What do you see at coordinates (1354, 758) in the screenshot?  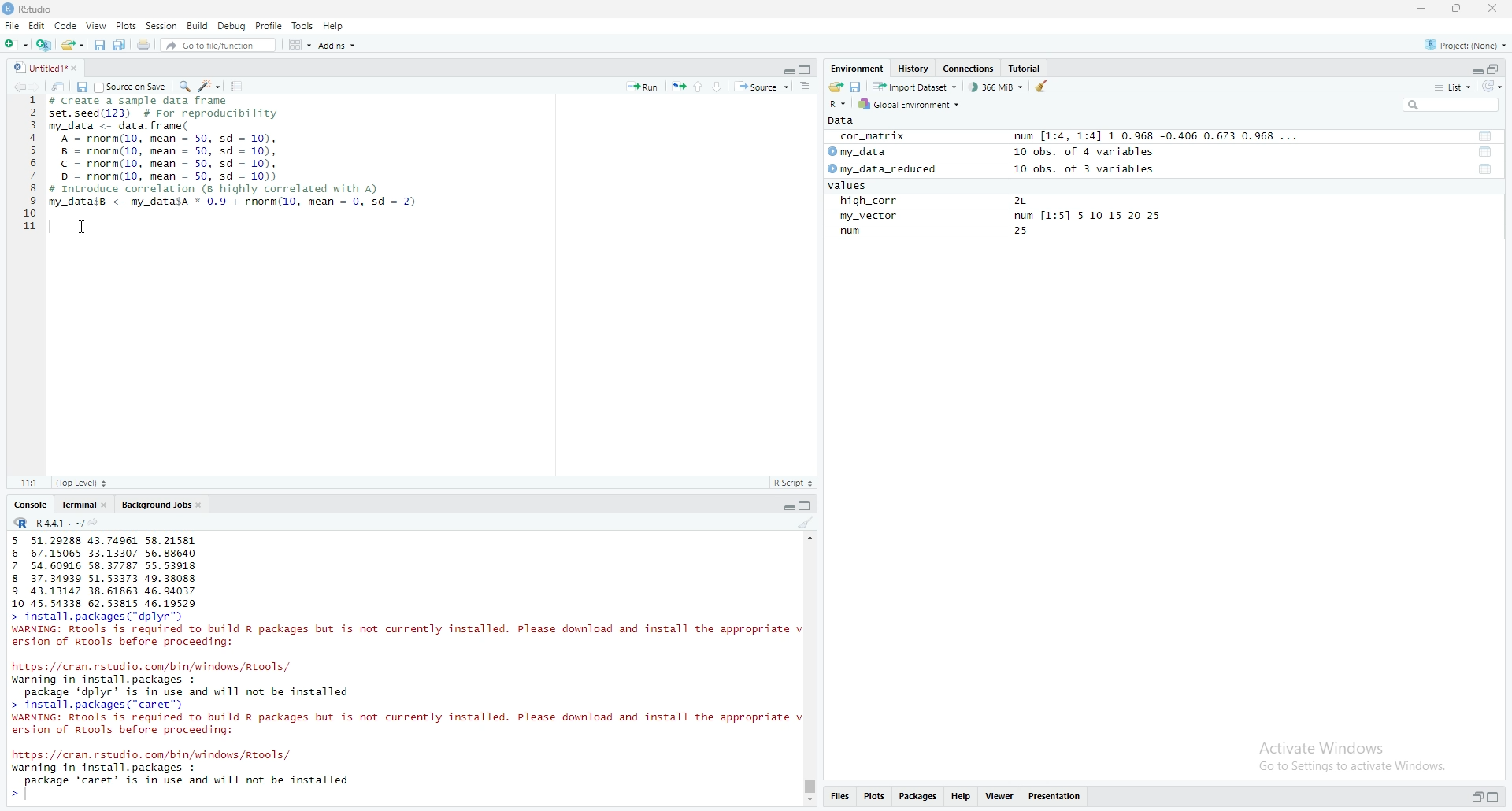 I see `Activate Windows
Go to Settings to activate Windows.` at bounding box center [1354, 758].